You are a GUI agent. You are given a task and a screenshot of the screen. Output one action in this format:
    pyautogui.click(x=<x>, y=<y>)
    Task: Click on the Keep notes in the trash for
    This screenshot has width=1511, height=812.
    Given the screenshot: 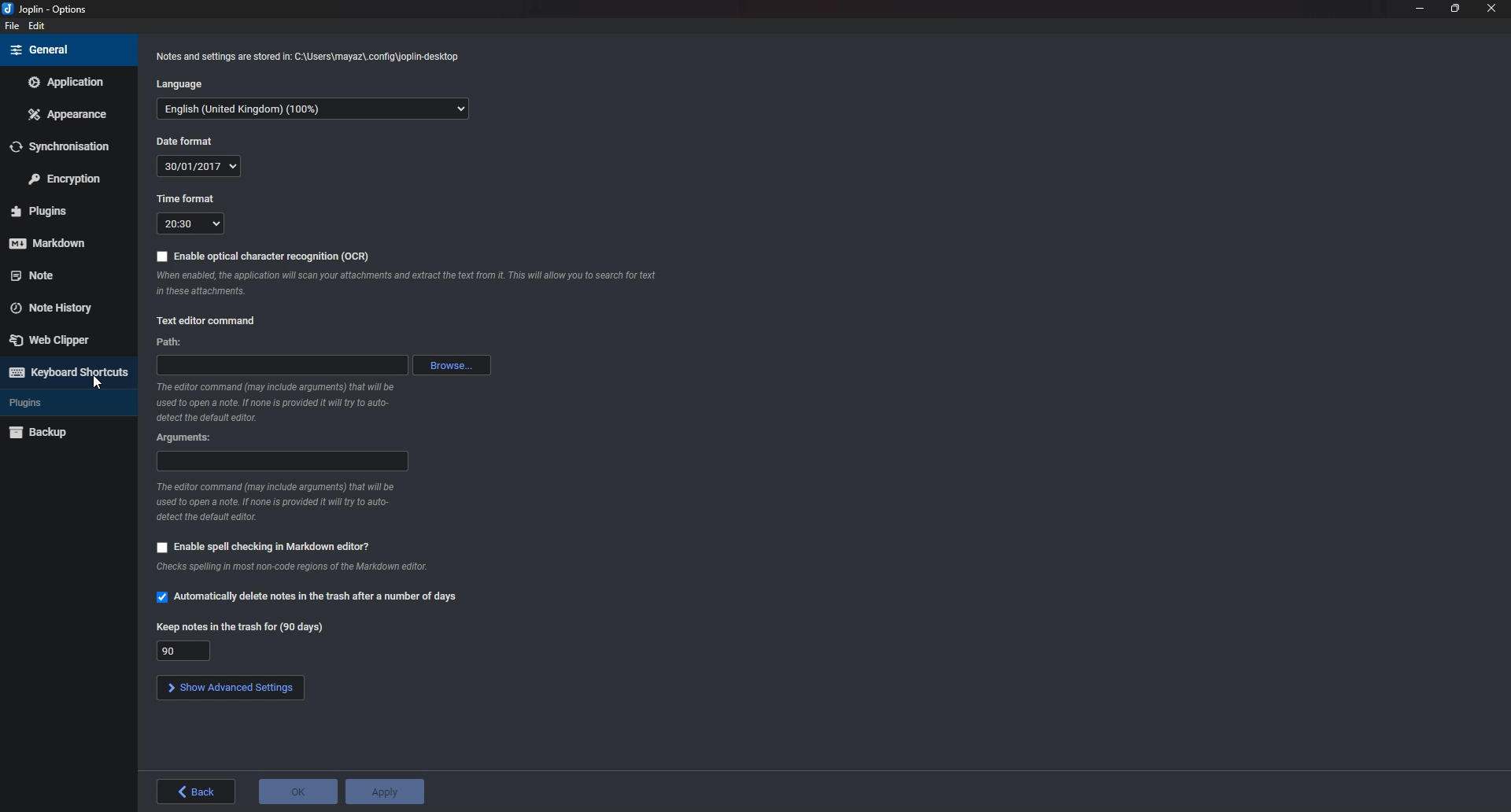 What is the action you would take?
    pyautogui.click(x=183, y=650)
    